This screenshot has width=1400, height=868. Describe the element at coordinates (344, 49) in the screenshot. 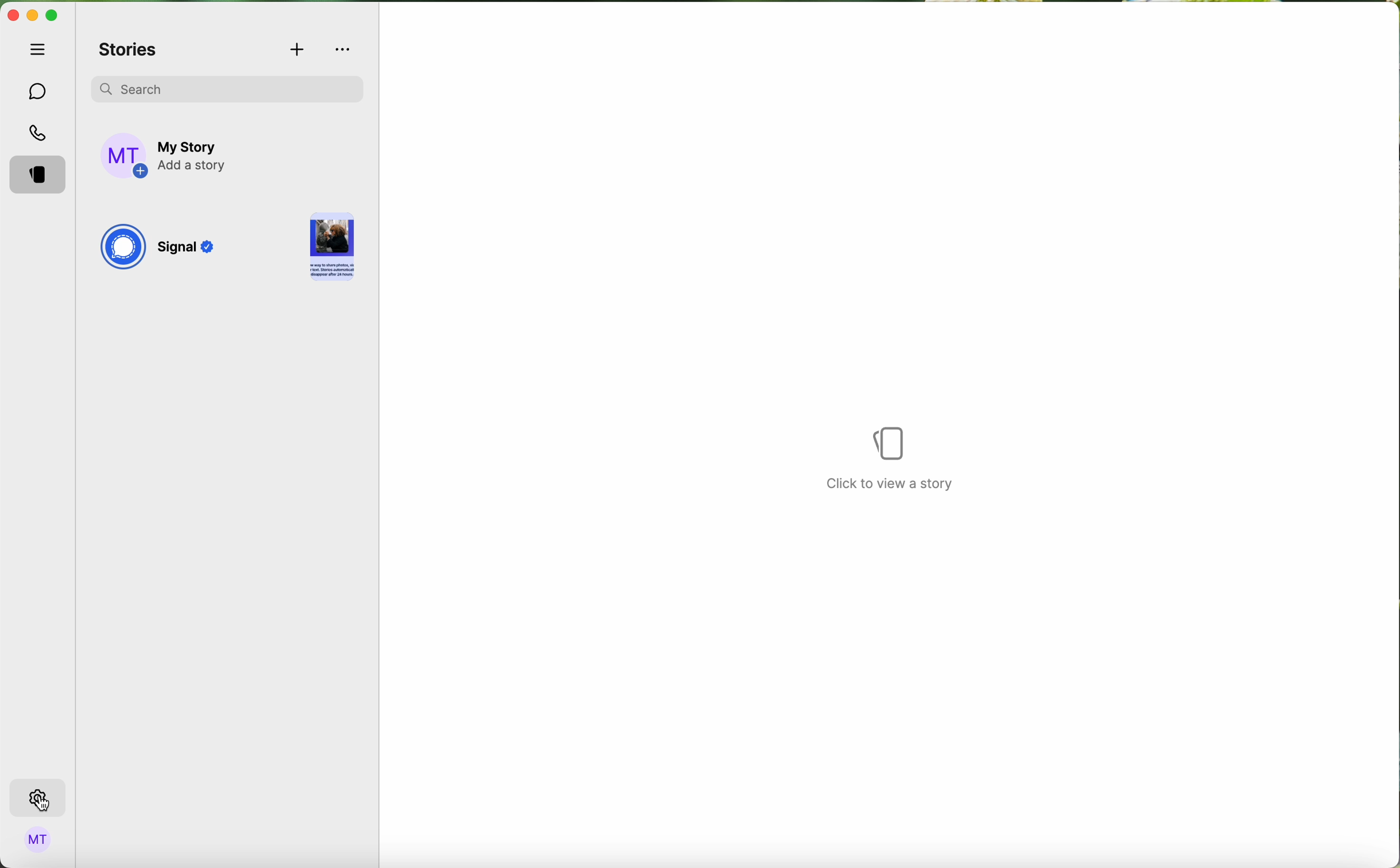

I see `more options` at that location.